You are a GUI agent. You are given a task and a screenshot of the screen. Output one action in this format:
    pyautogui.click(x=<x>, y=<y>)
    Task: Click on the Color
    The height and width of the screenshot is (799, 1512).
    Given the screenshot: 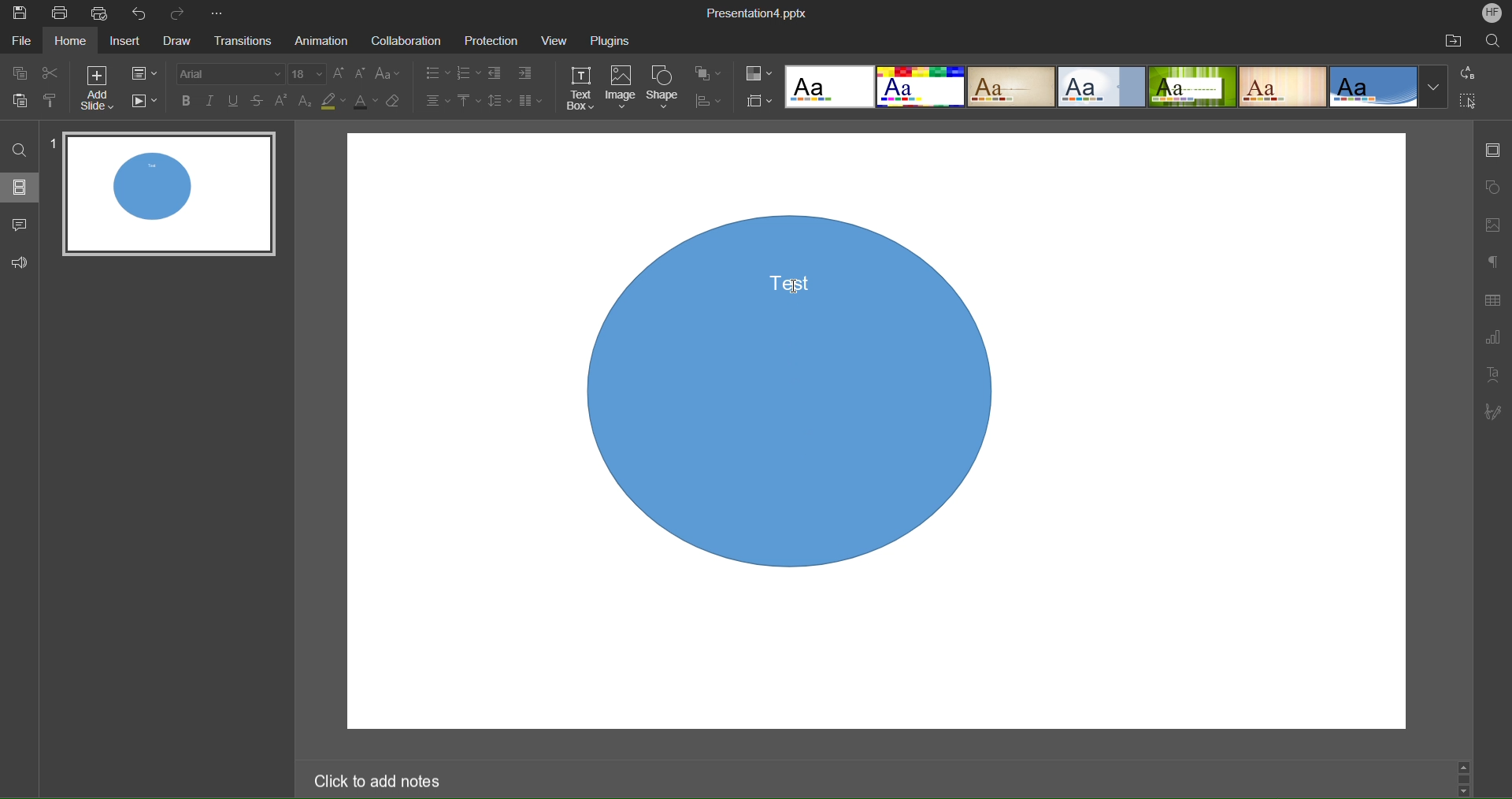 What is the action you would take?
    pyautogui.click(x=758, y=75)
    